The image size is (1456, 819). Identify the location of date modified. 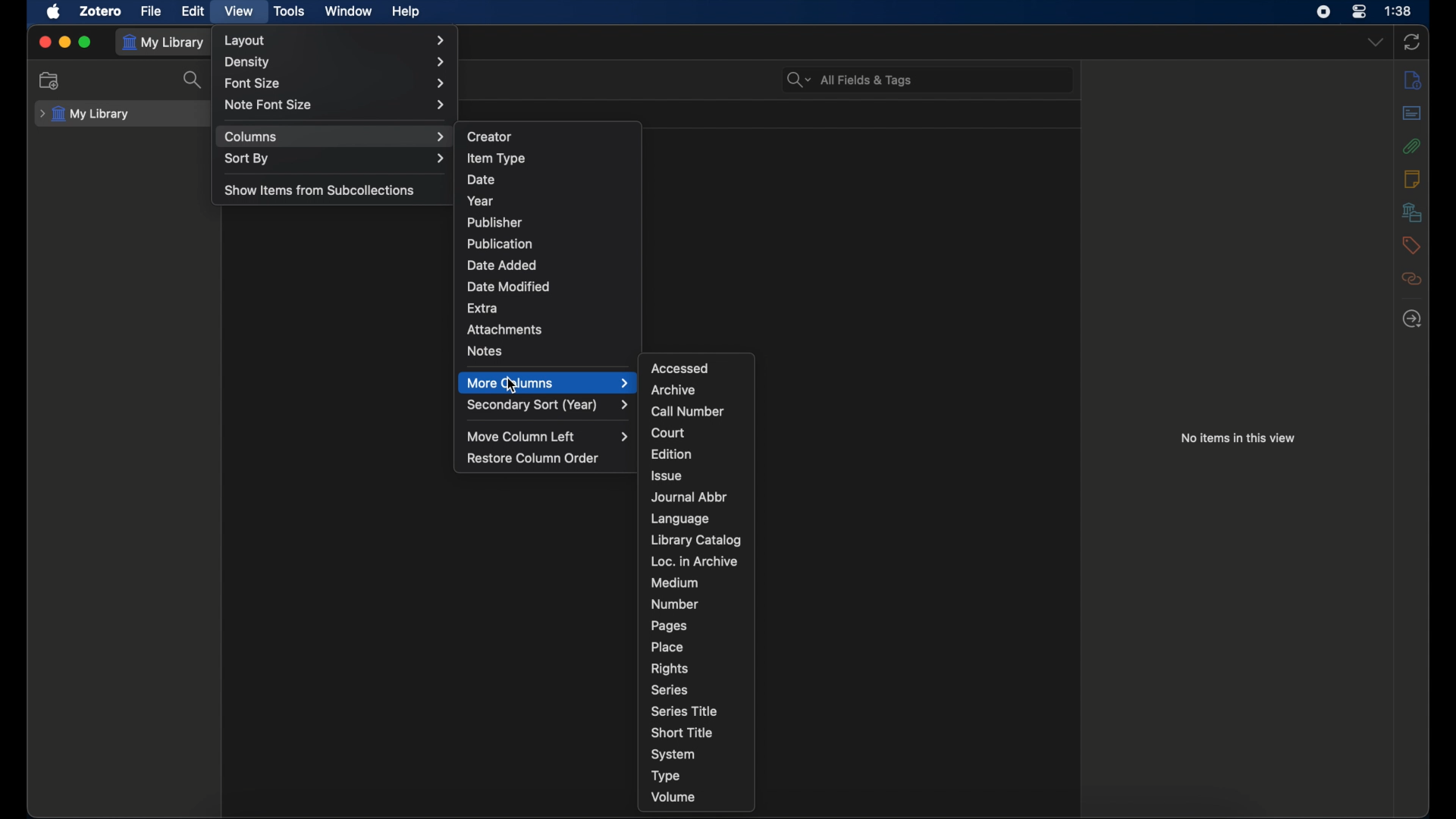
(509, 287).